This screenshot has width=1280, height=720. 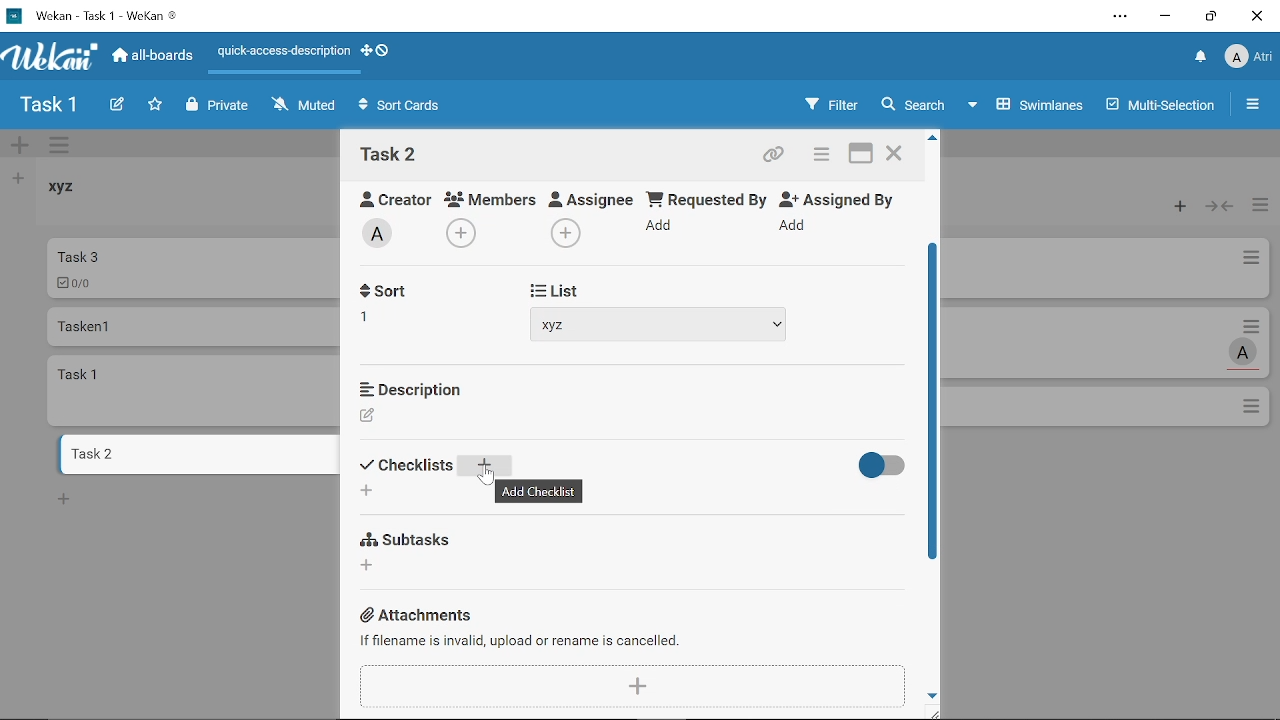 What do you see at coordinates (51, 56) in the screenshot?
I see `App logo` at bounding box center [51, 56].